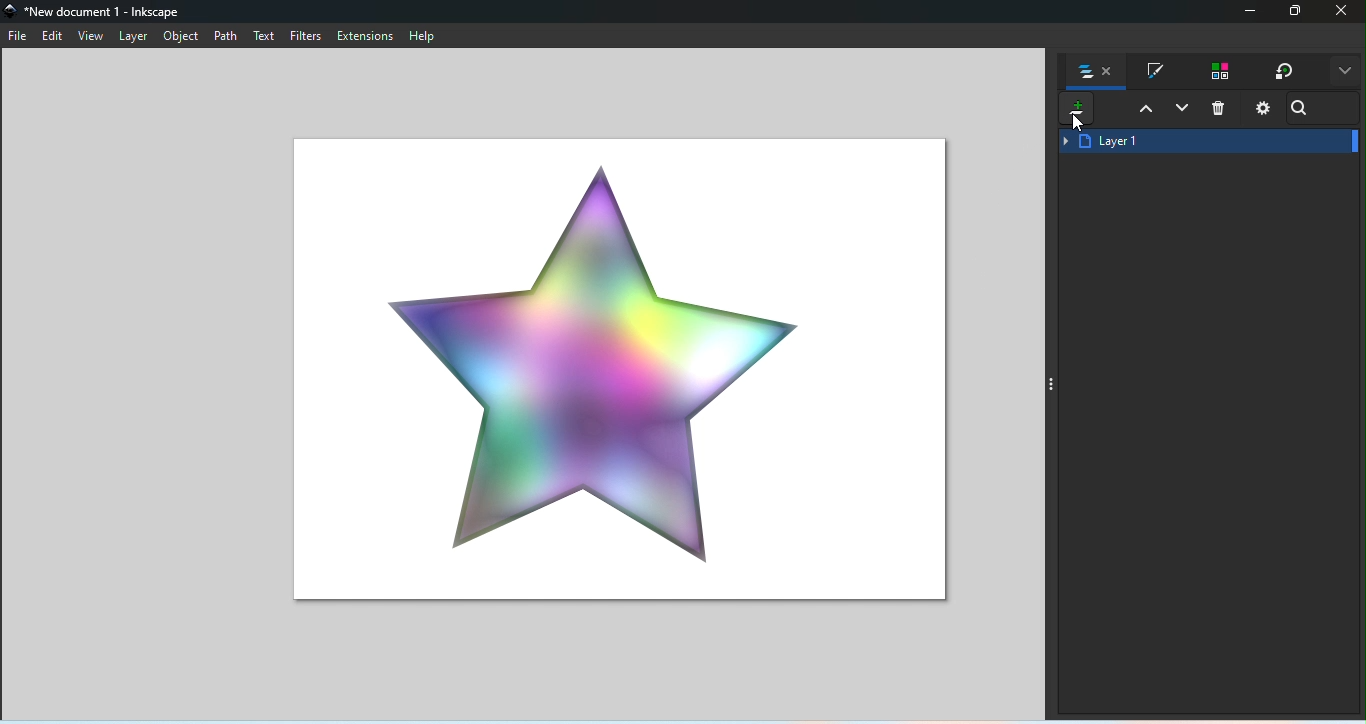 The image size is (1366, 724). Describe the element at coordinates (366, 37) in the screenshot. I see `Extensions` at that location.